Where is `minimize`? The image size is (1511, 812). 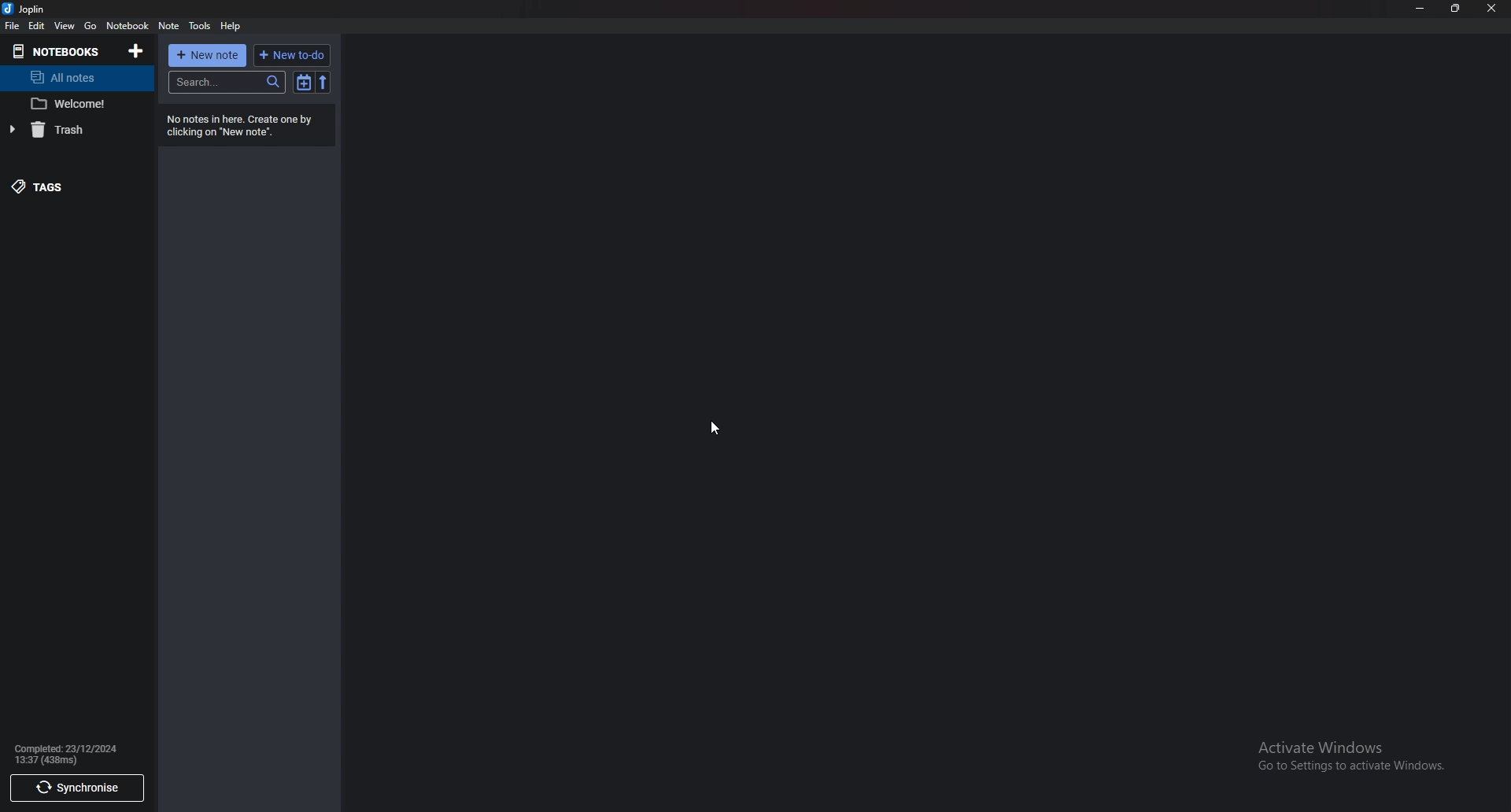
minimize is located at coordinates (1418, 9).